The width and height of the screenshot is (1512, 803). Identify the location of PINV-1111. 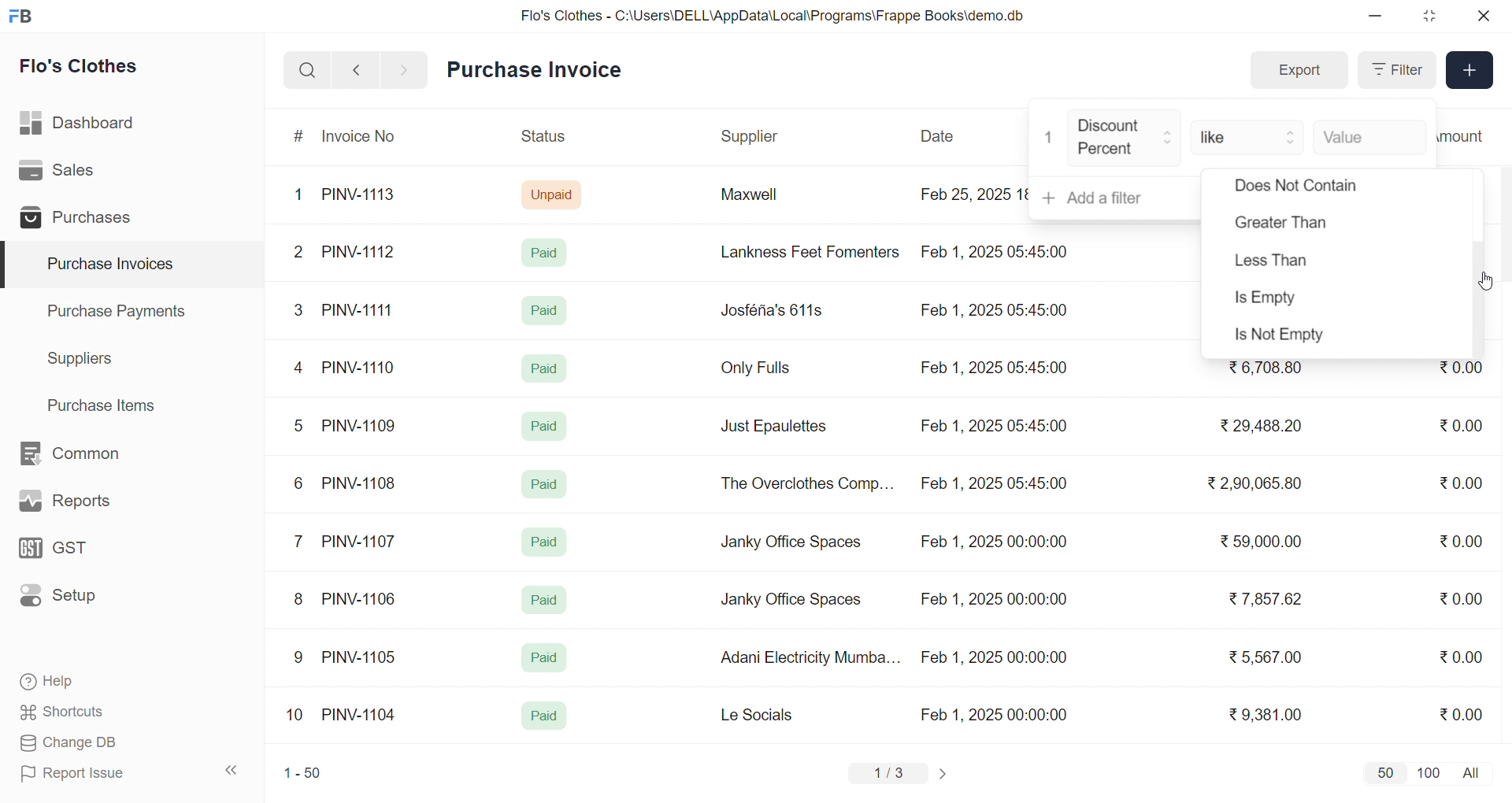
(359, 309).